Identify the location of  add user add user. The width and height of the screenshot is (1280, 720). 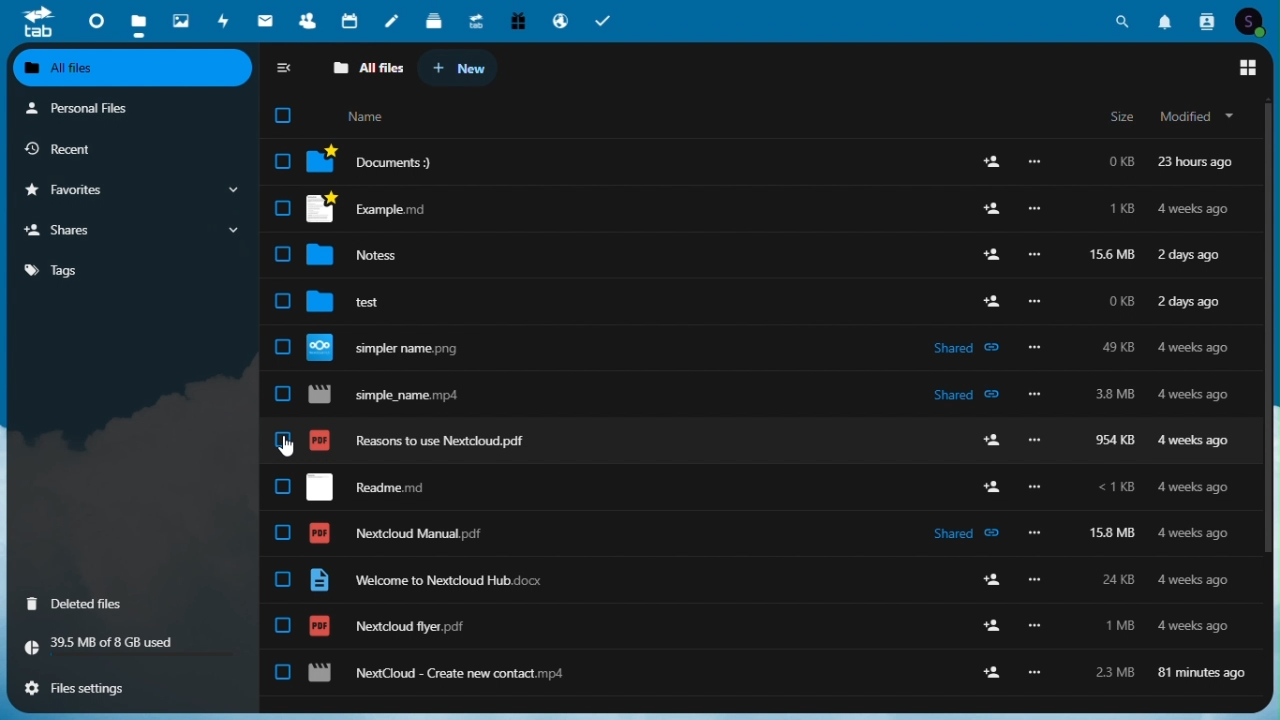
(988, 487).